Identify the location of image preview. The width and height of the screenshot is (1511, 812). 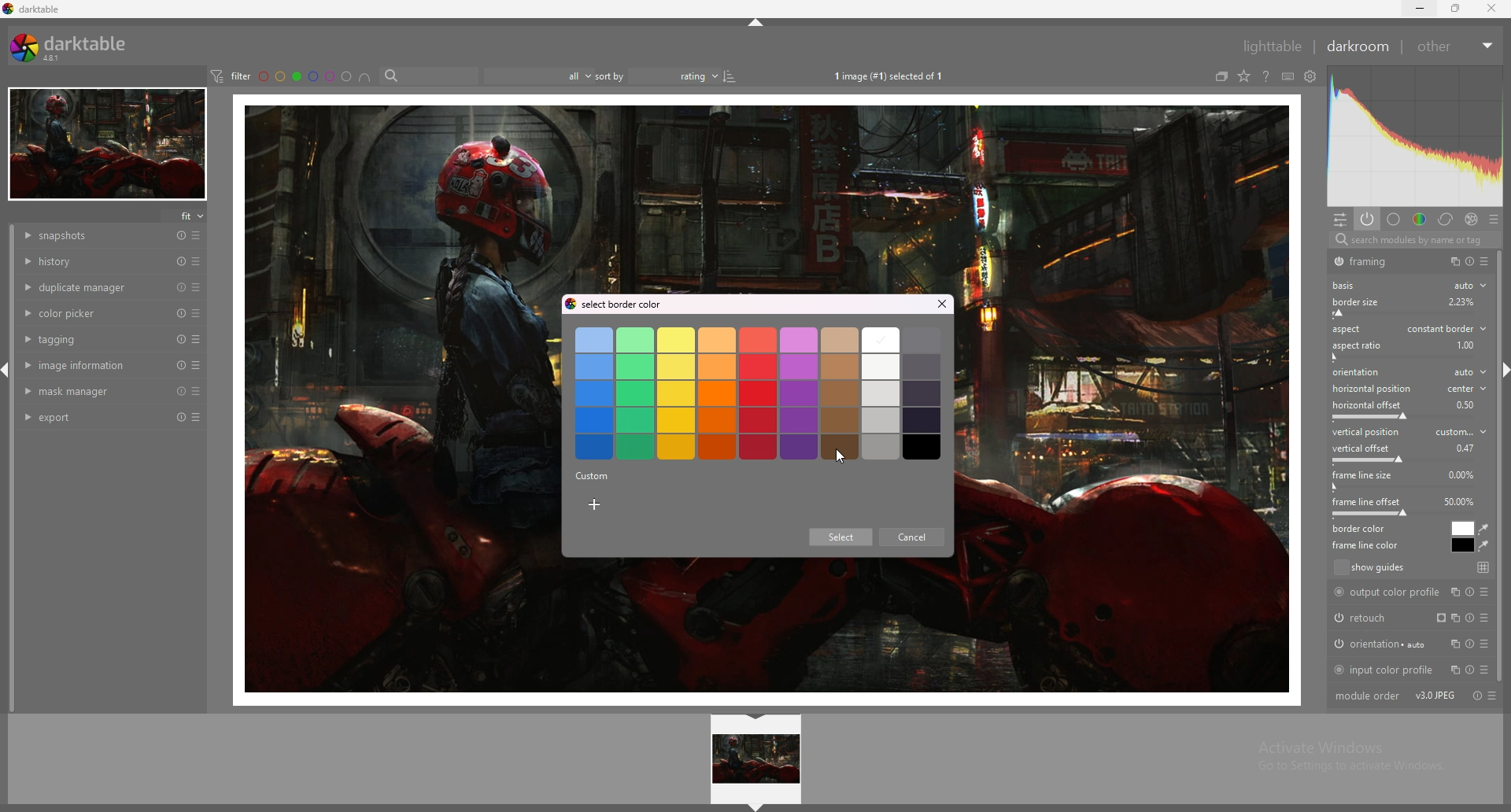
(757, 759).